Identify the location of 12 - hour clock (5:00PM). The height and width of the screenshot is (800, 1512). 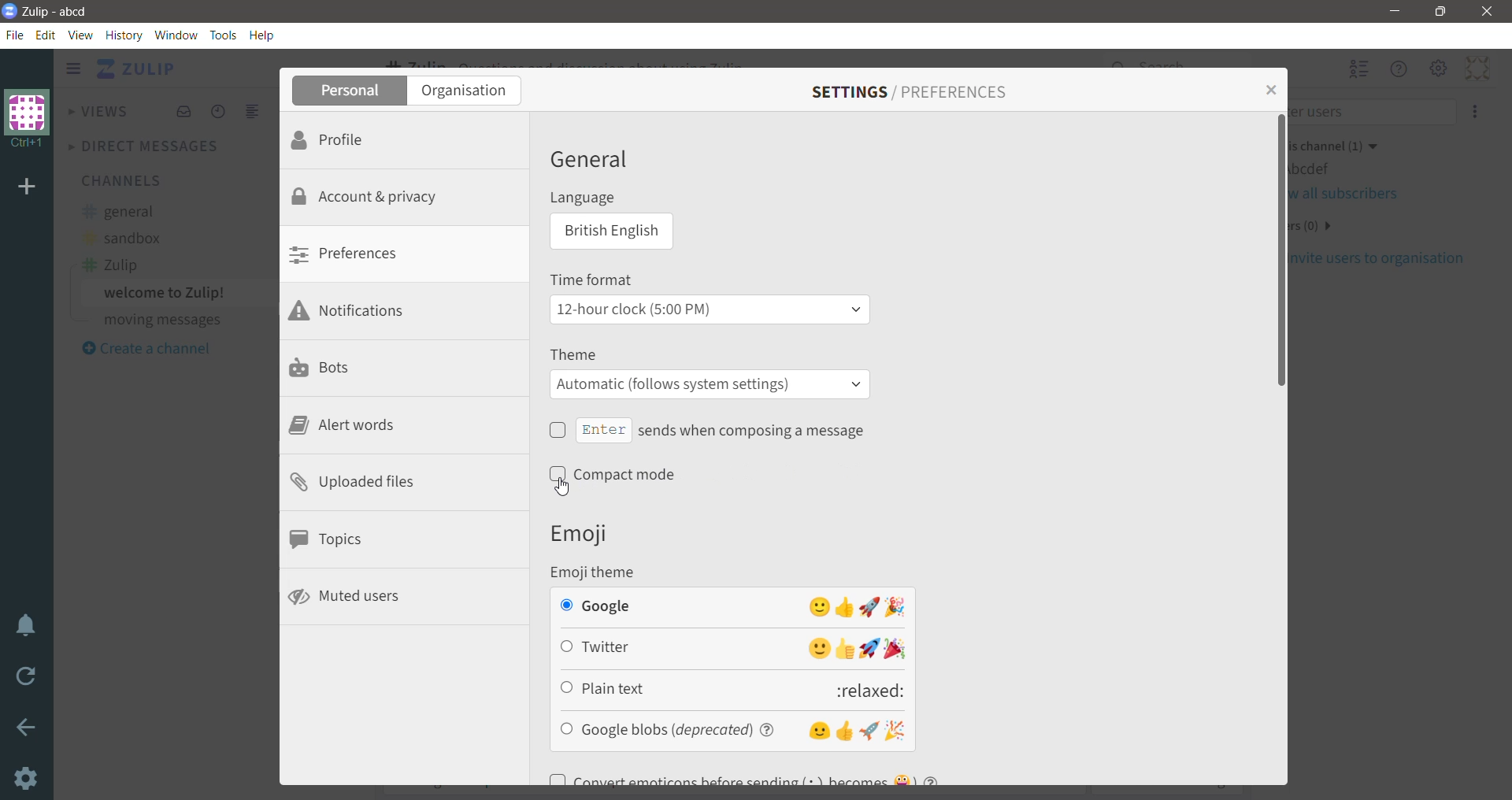
(707, 309).